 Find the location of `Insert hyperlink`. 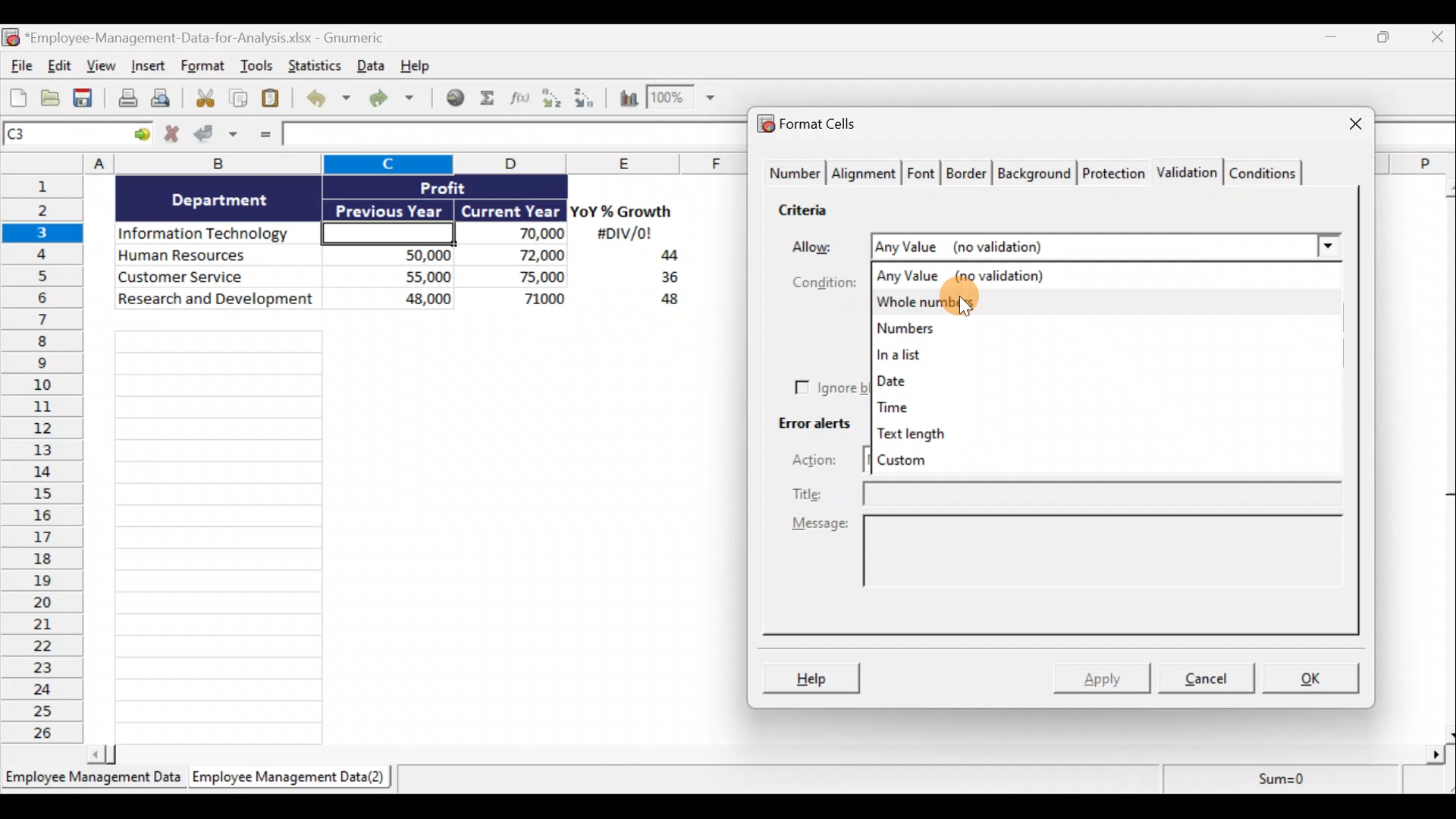

Insert hyperlink is located at coordinates (457, 98).